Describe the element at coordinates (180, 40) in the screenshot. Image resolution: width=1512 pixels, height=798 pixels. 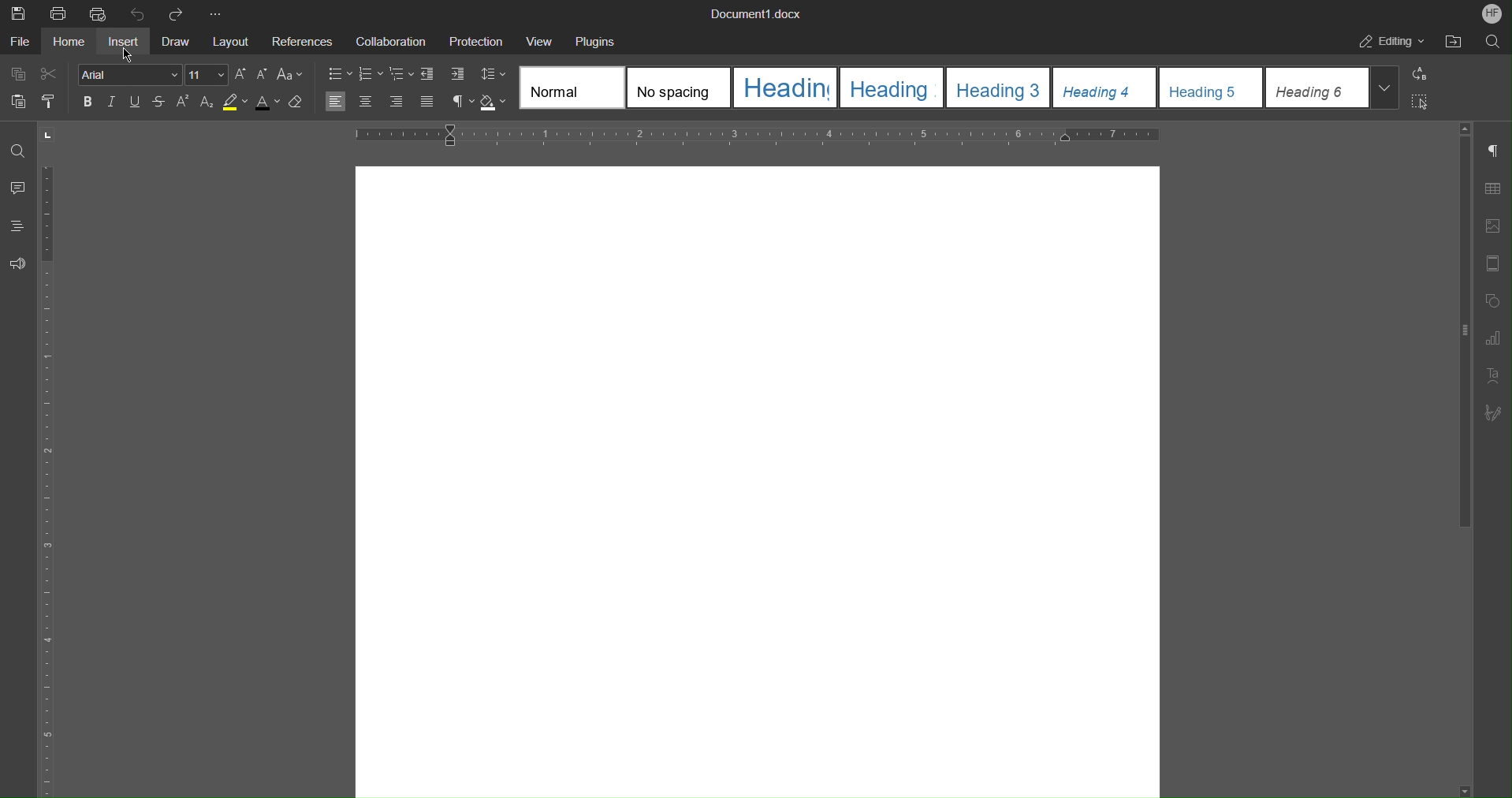
I see `Draw` at that location.